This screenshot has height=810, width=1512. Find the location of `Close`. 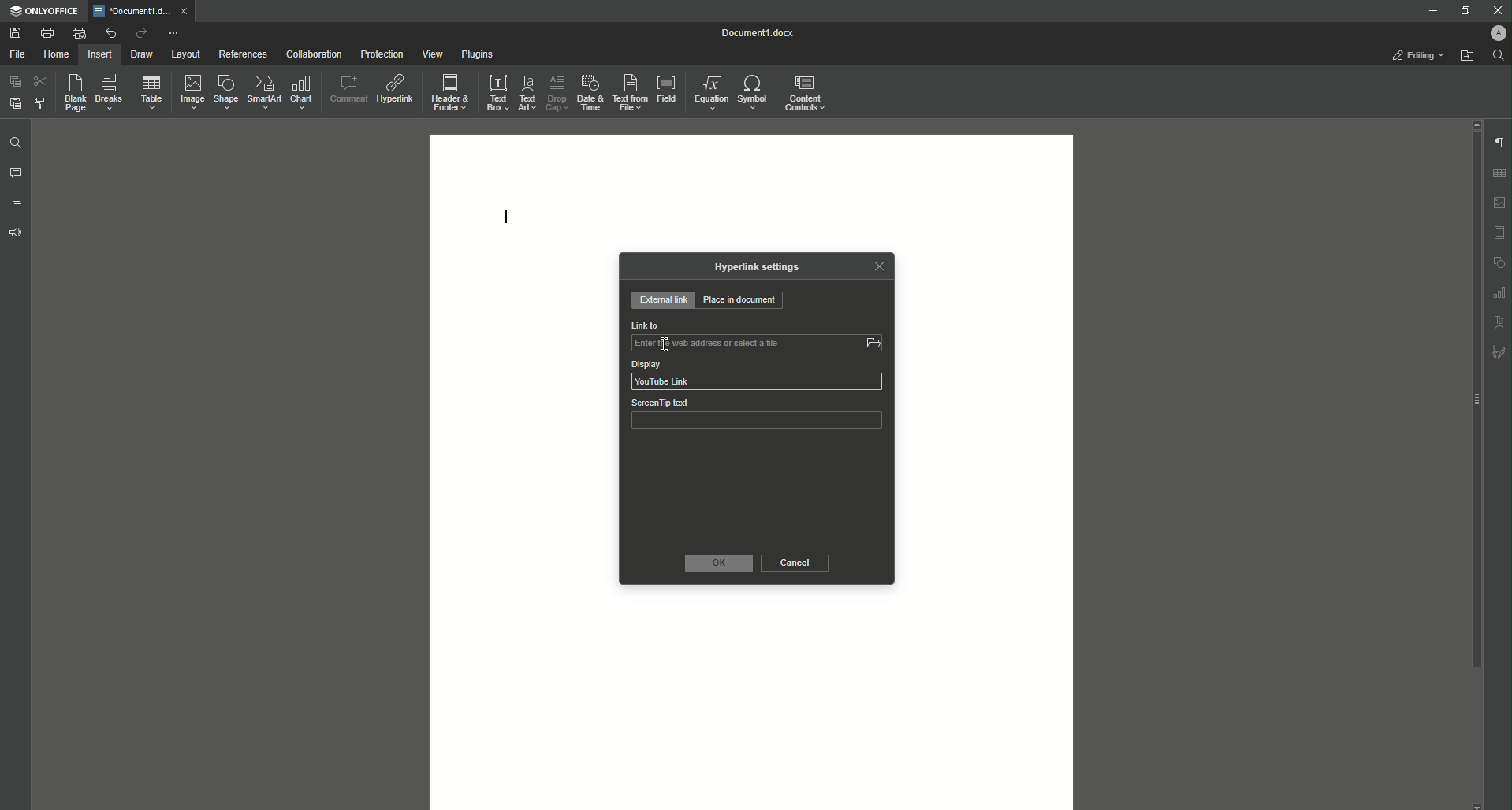

Close is located at coordinates (883, 267).